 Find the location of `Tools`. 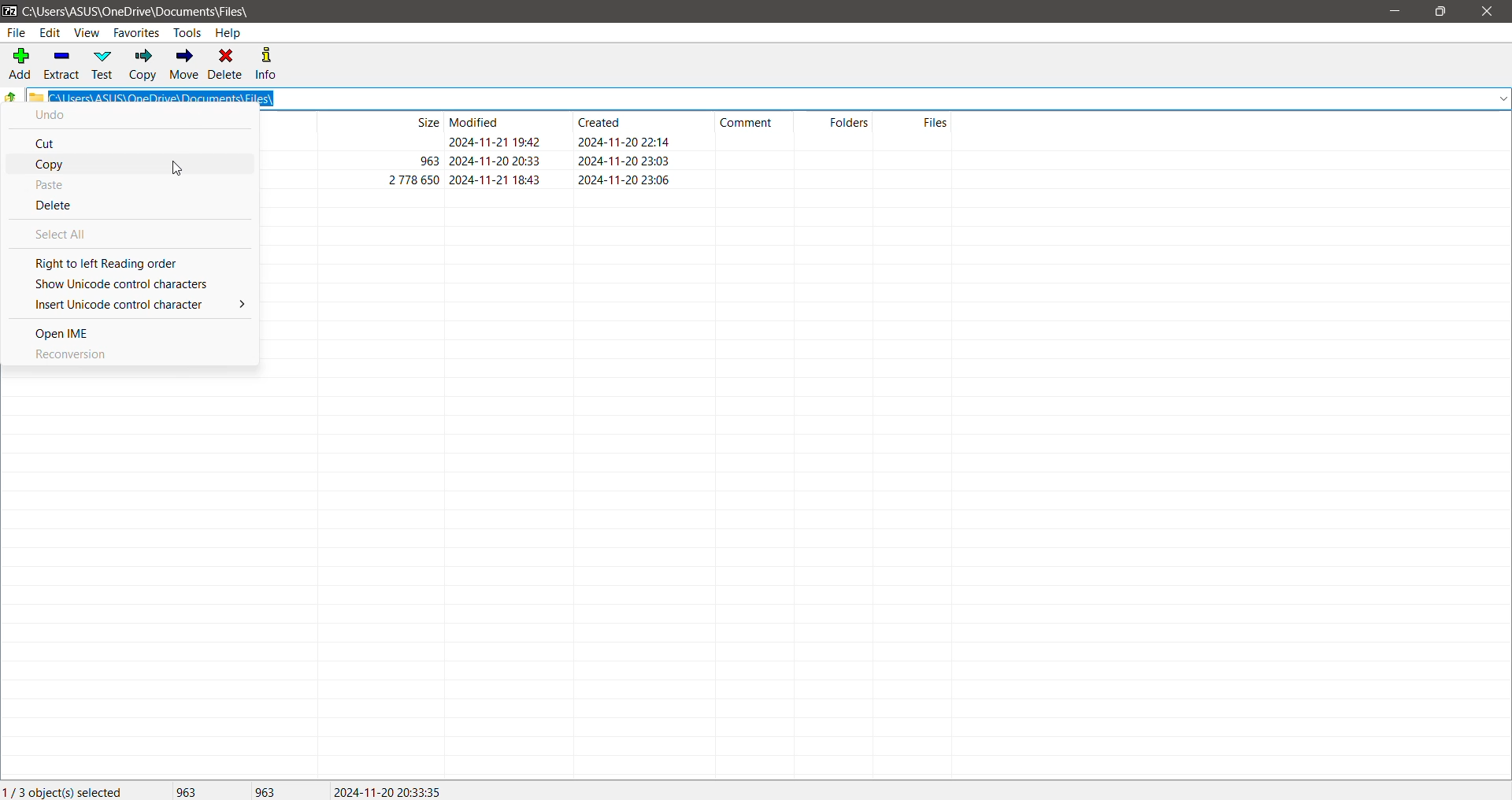

Tools is located at coordinates (187, 33).